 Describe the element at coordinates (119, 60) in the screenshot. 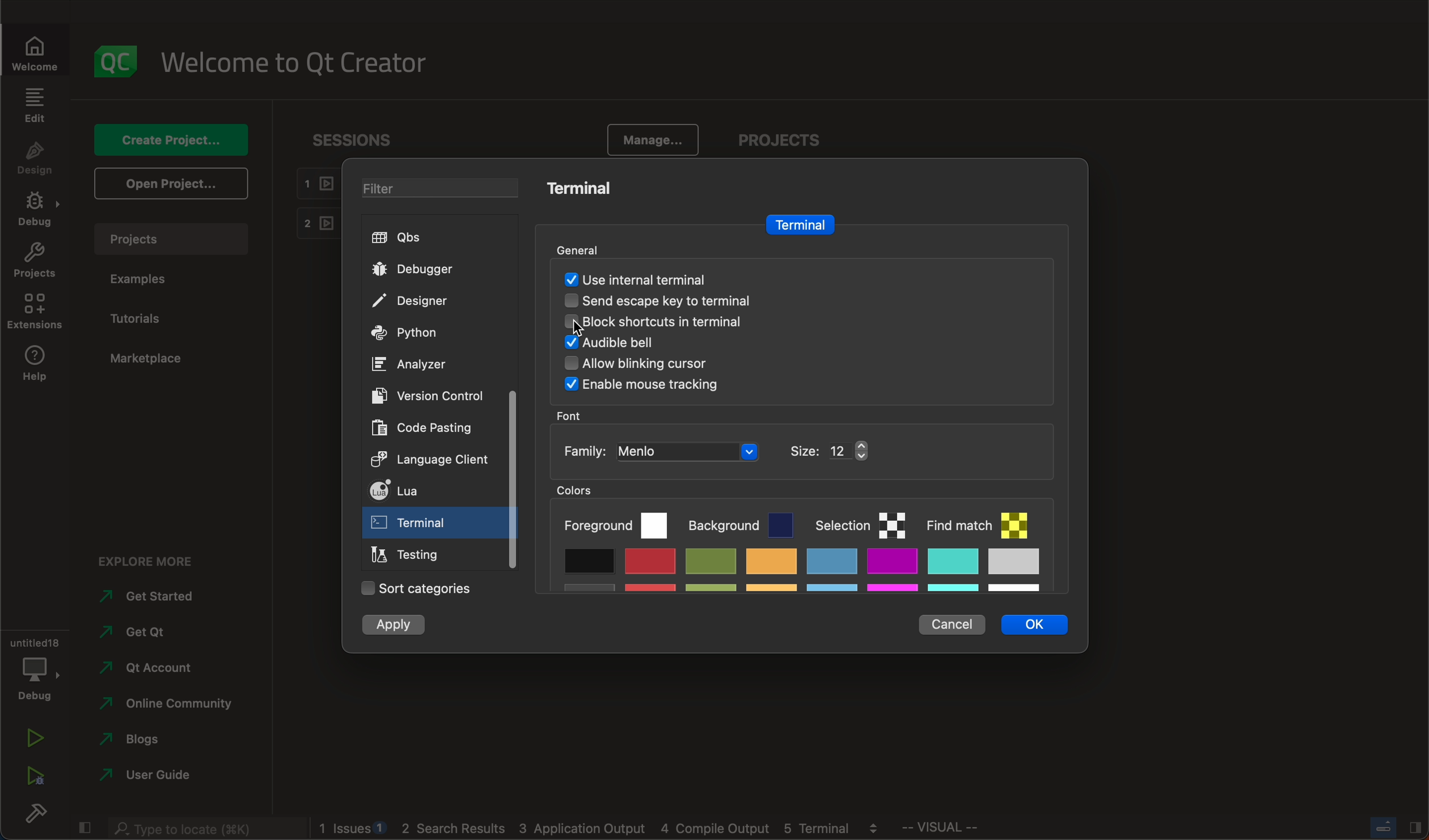

I see `logo` at that location.